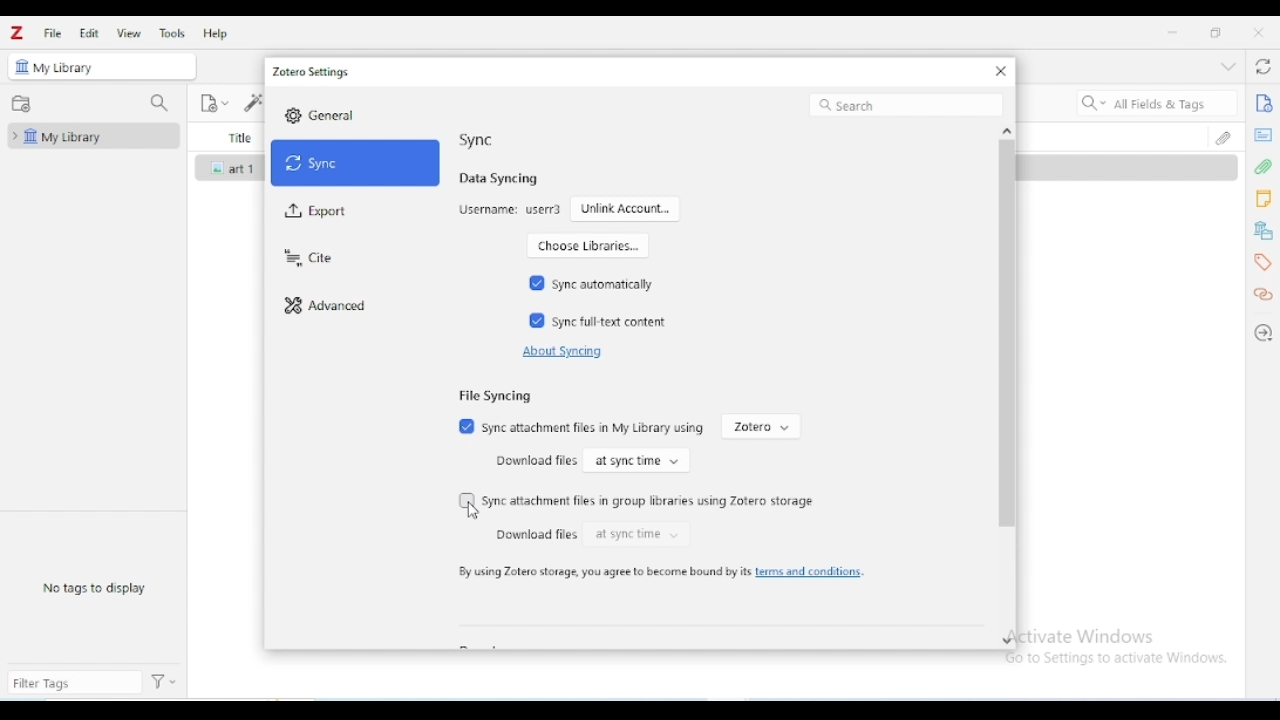 Image resolution: width=1280 pixels, height=720 pixels. I want to click on libraries and collections, so click(1263, 231).